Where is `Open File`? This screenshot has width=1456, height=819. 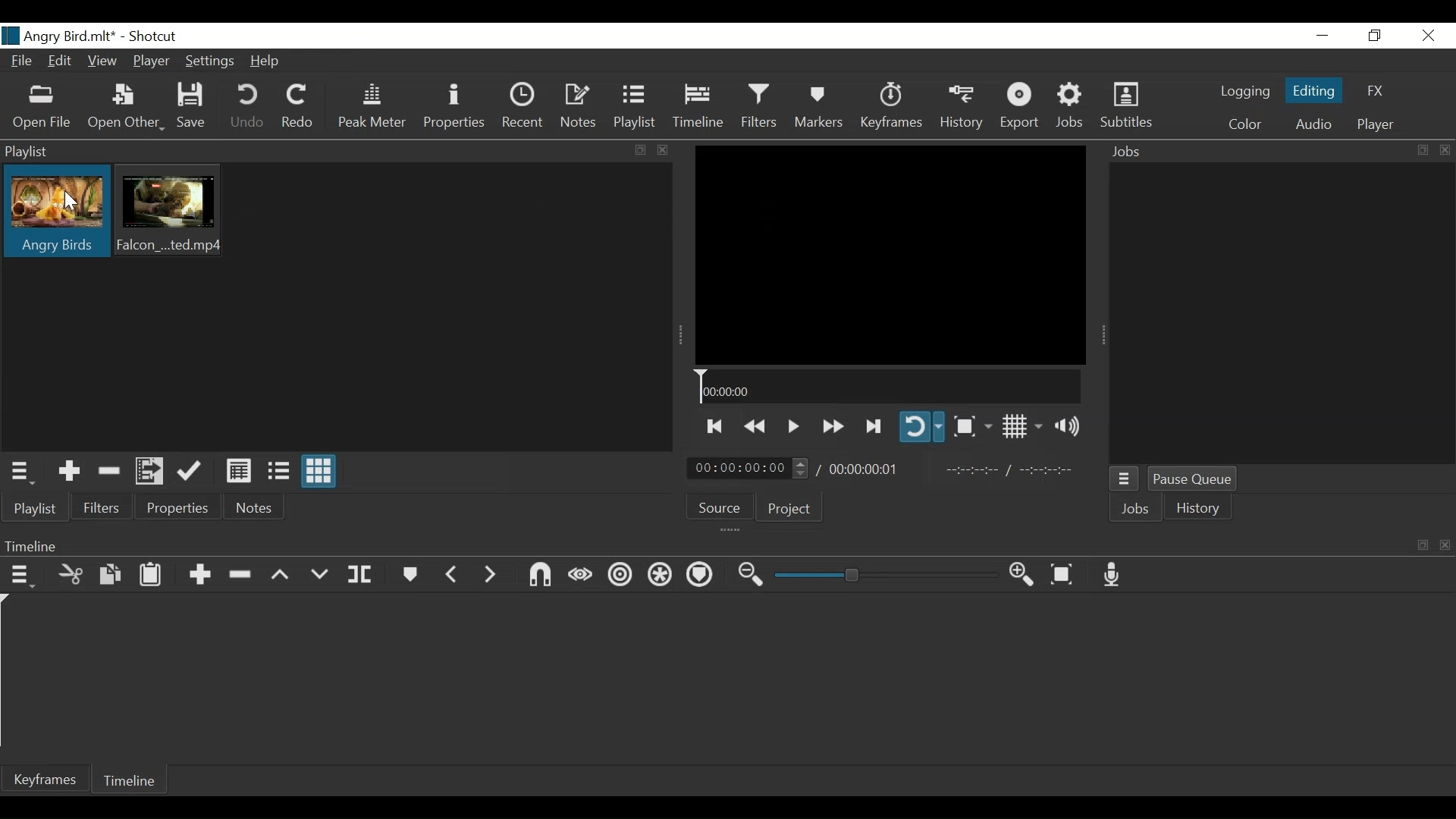 Open File is located at coordinates (45, 106).